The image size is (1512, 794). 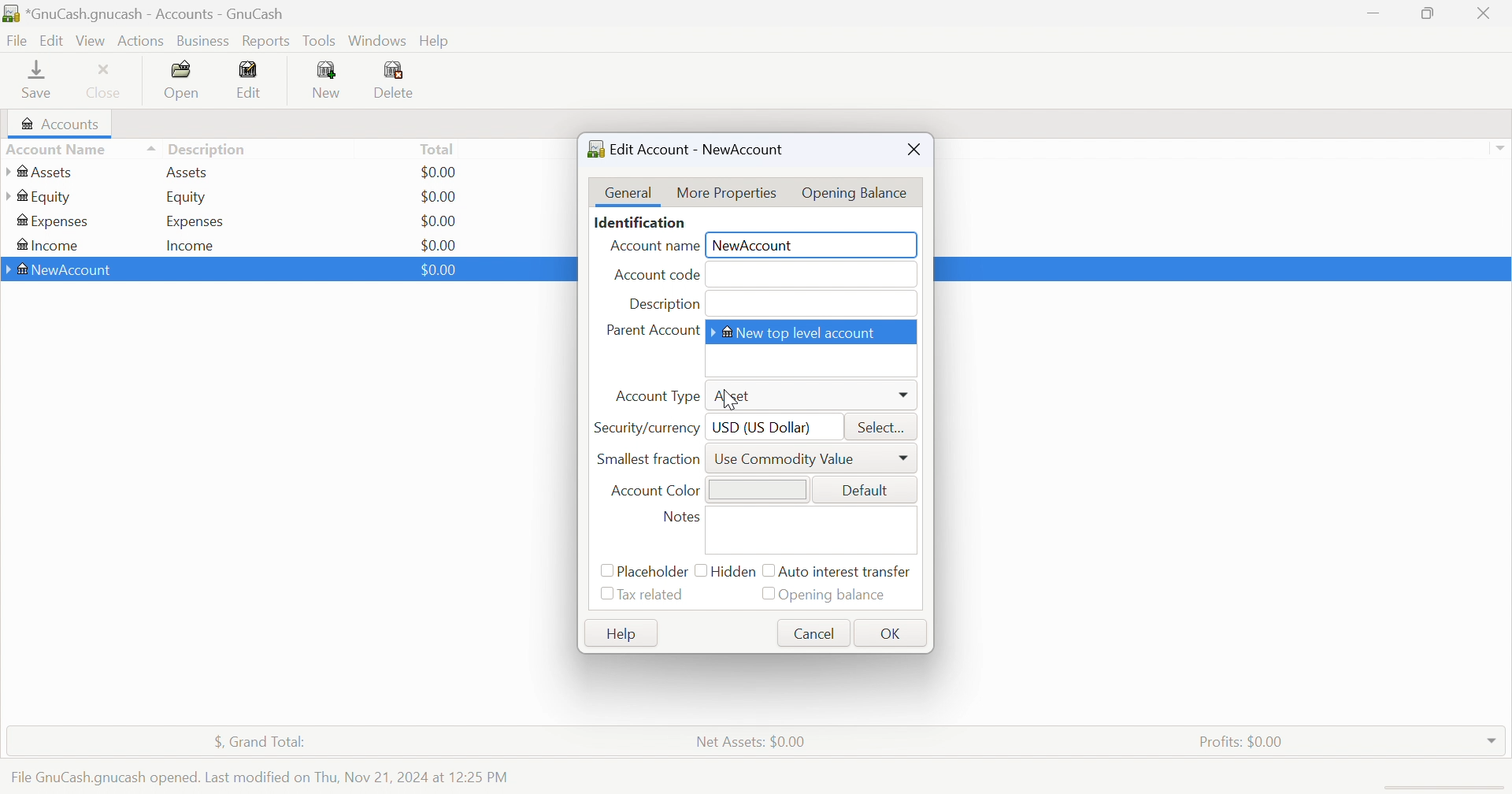 I want to click on New top level account, so click(x=797, y=332).